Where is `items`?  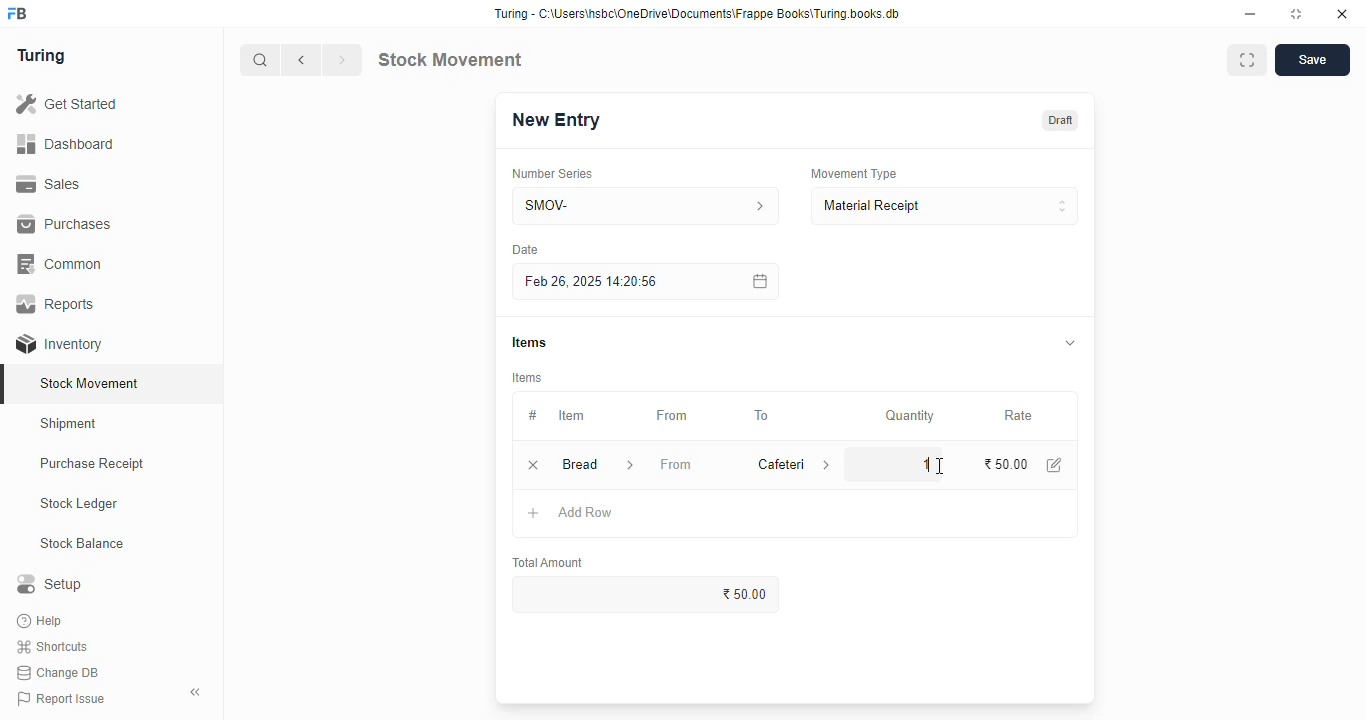
items is located at coordinates (529, 342).